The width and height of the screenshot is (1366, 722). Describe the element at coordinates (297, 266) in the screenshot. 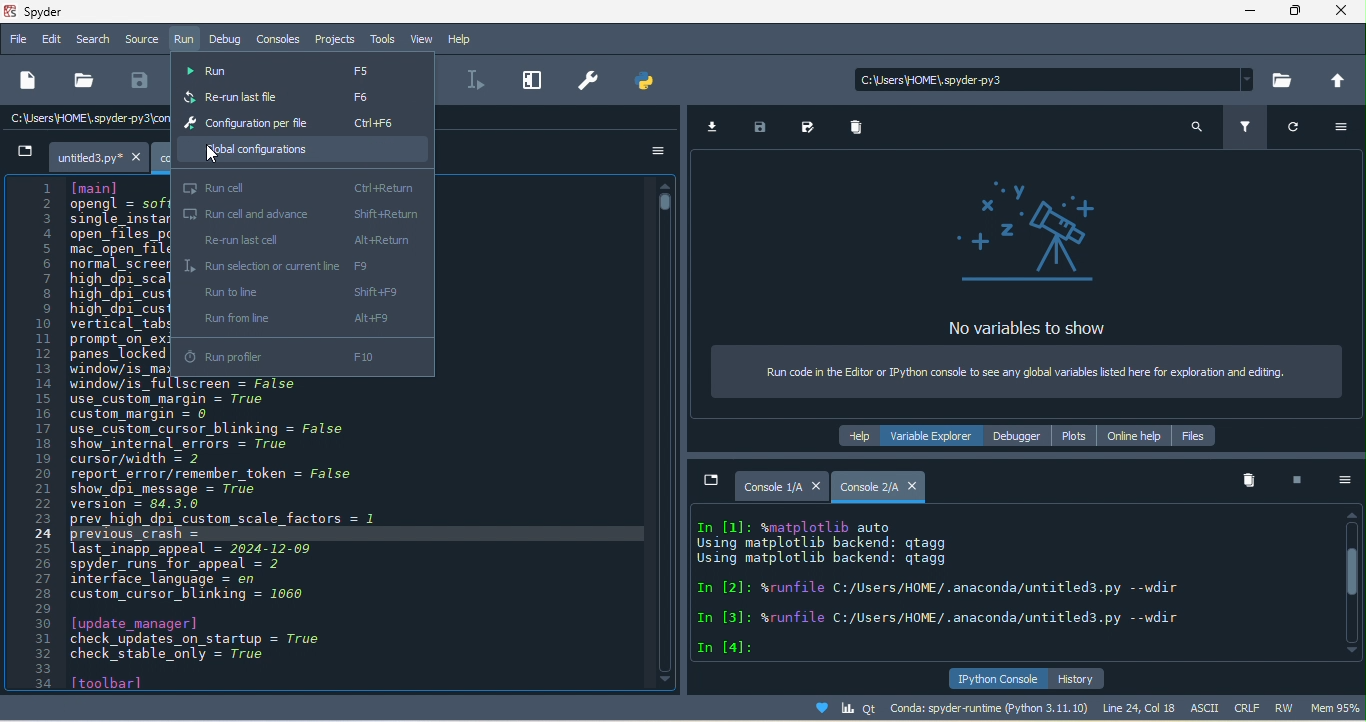

I see `run selection` at that location.